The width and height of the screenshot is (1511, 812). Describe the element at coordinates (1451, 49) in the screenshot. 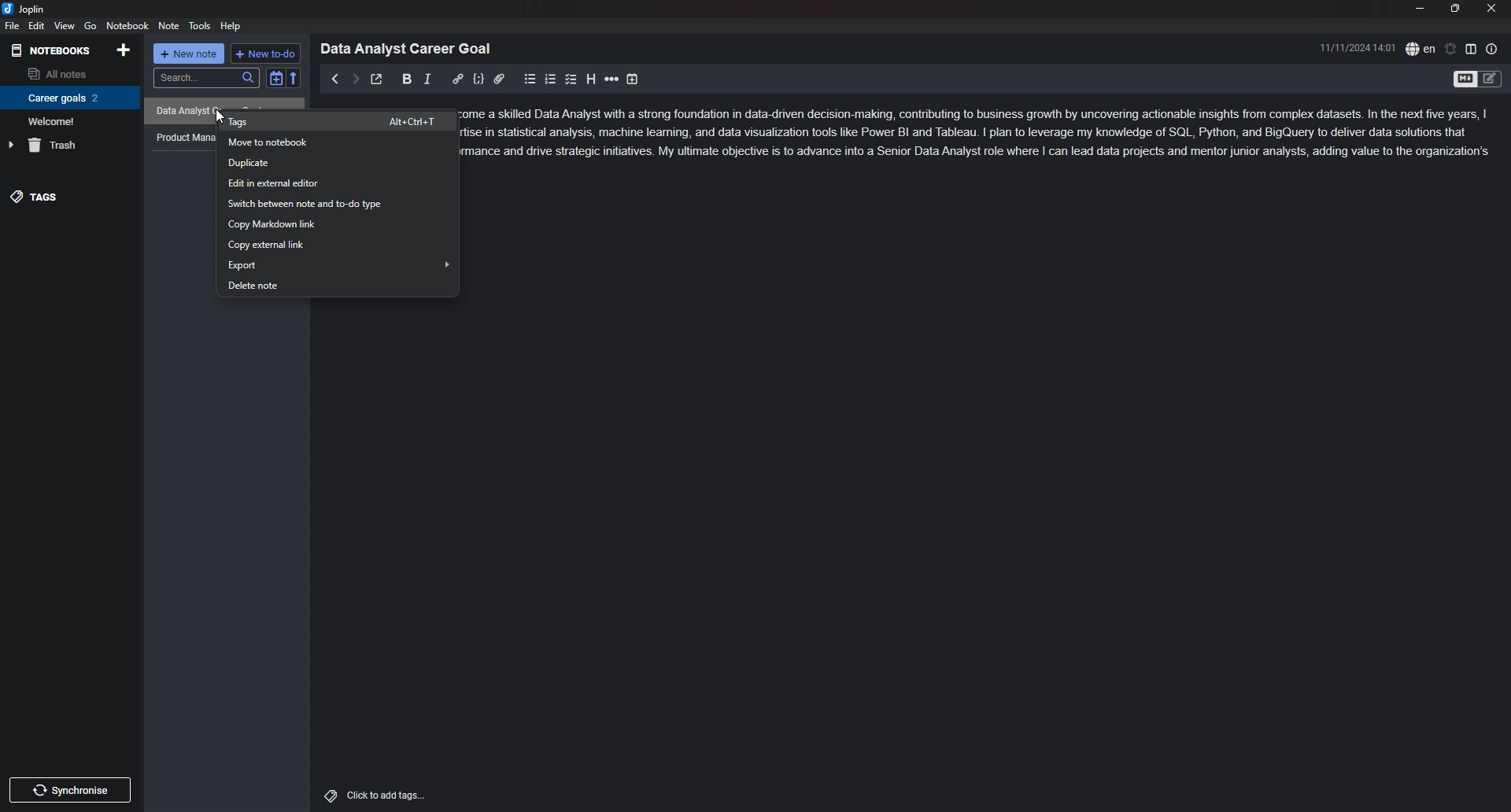

I see `set alarm` at that location.